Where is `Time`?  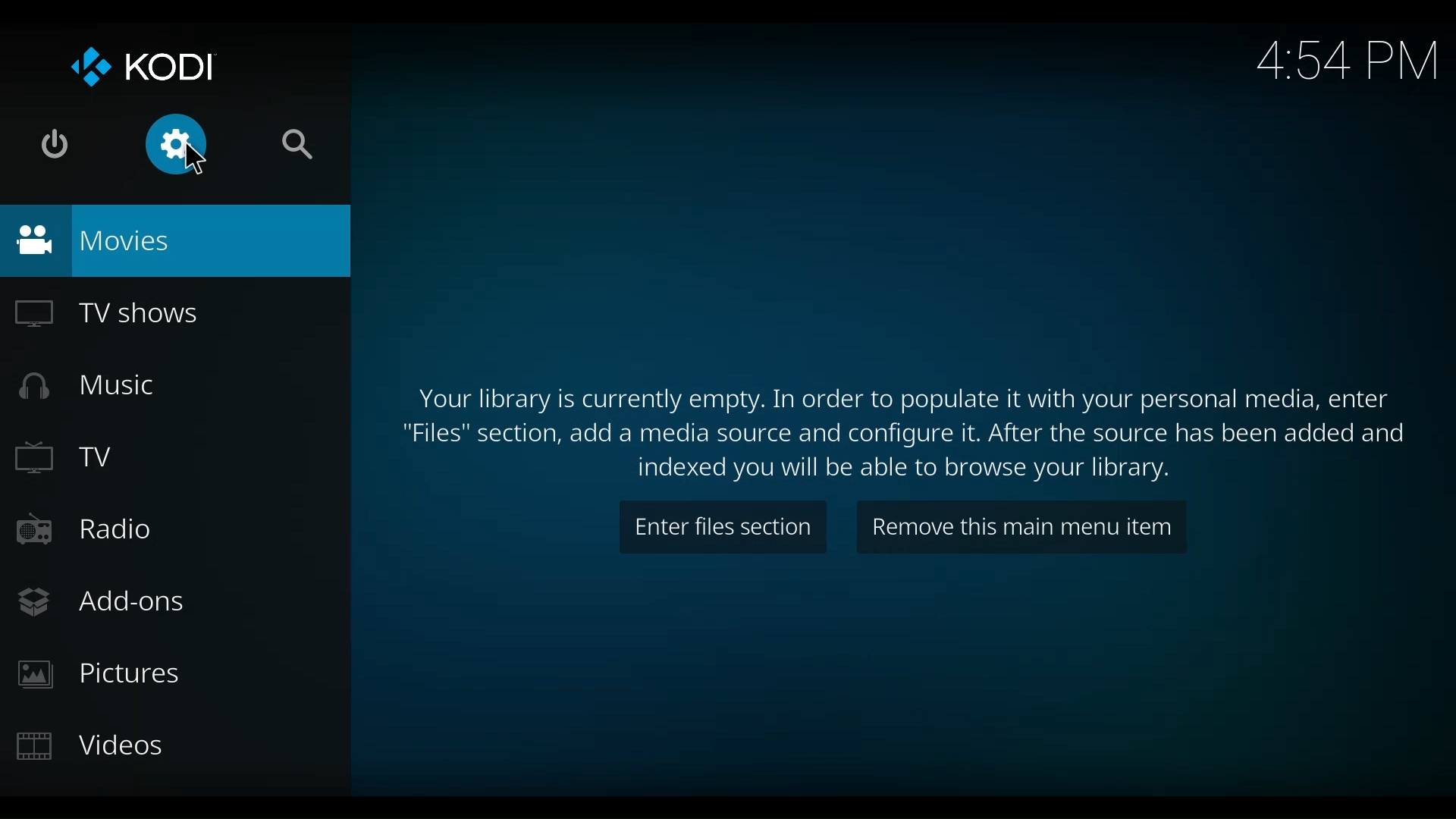
Time is located at coordinates (1344, 64).